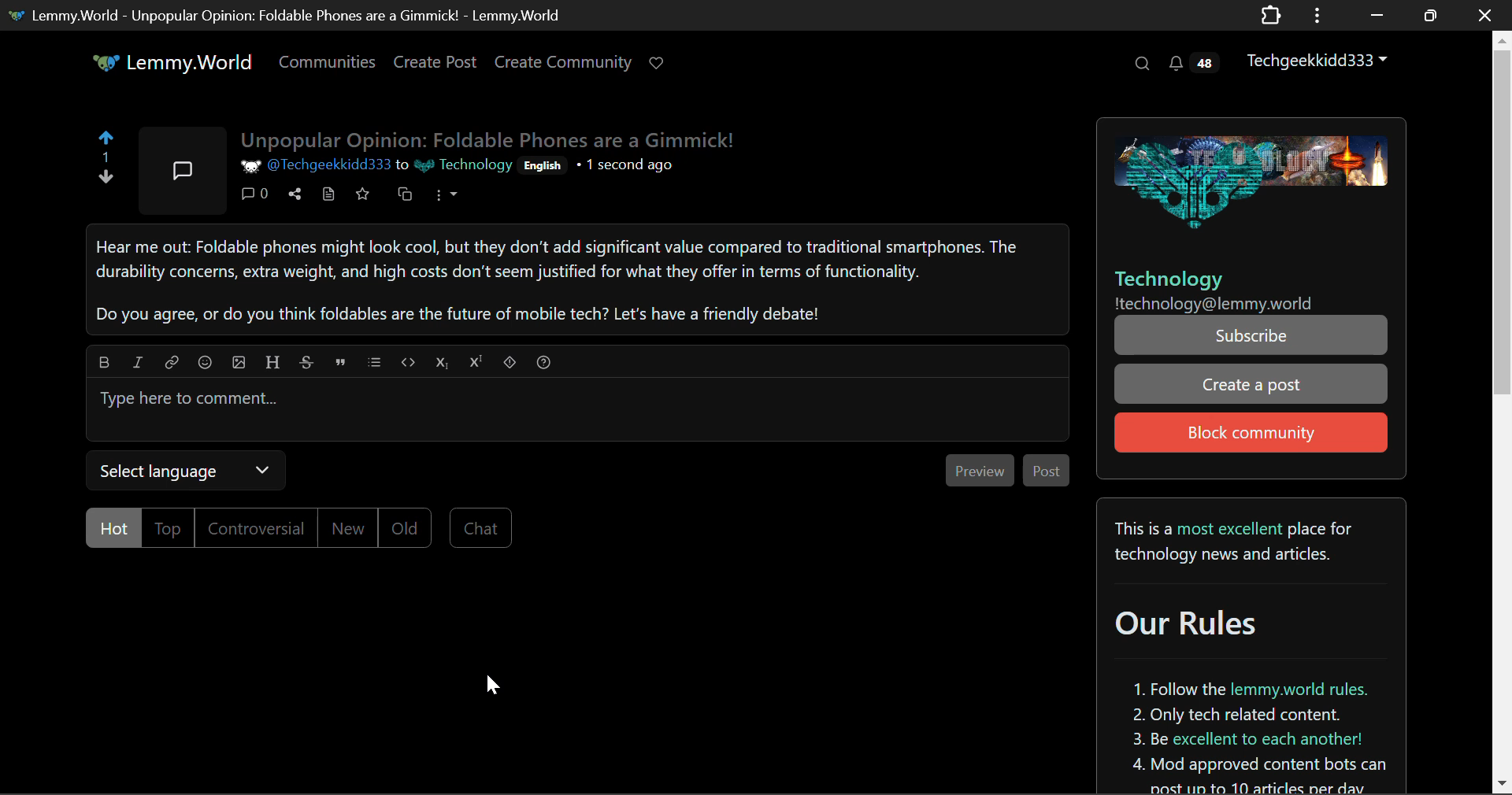 This screenshot has width=1512, height=795. I want to click on Technology, so click(462, 167).